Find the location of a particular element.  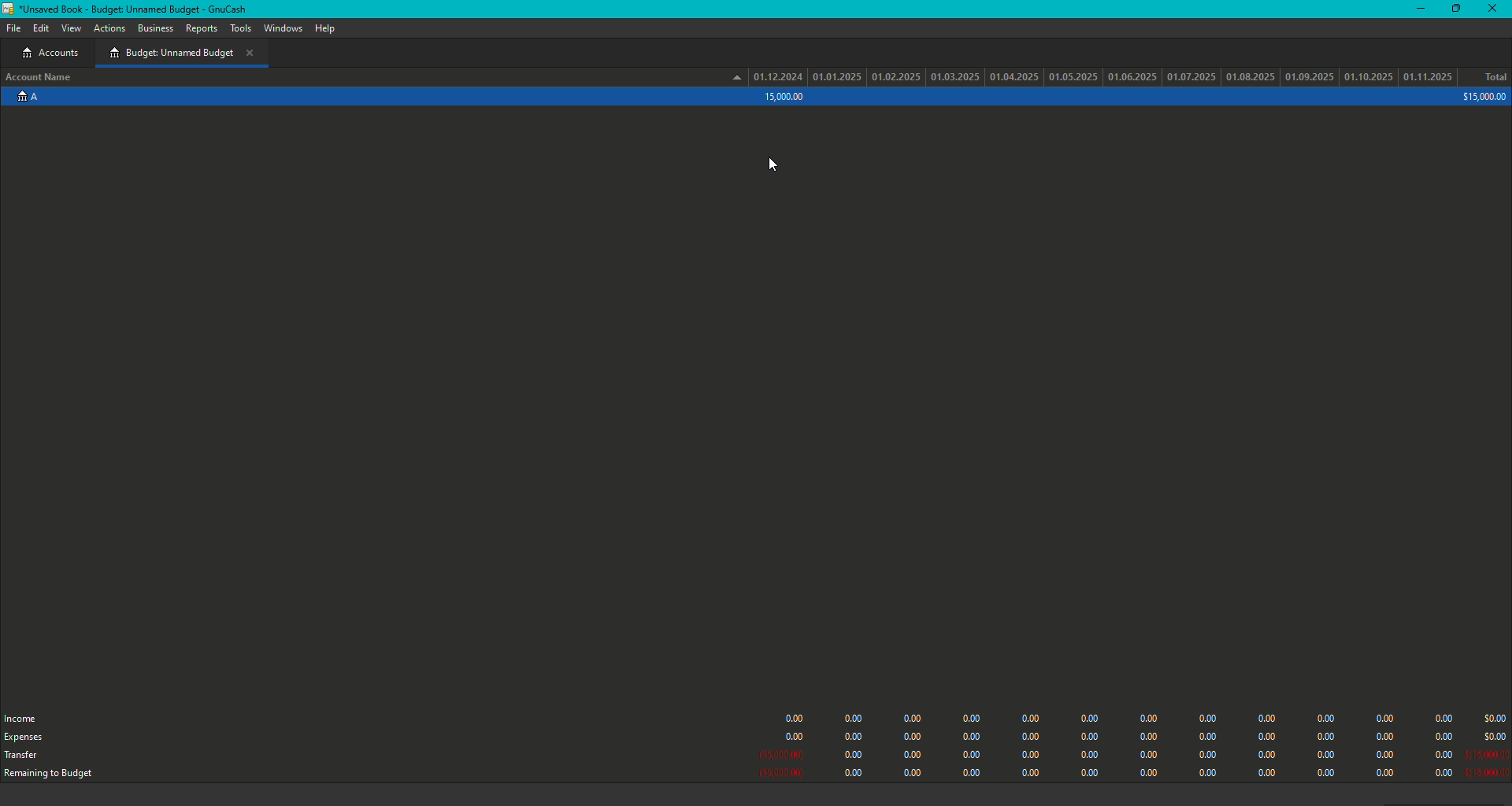

Total is located at coordinates (1495, 76).